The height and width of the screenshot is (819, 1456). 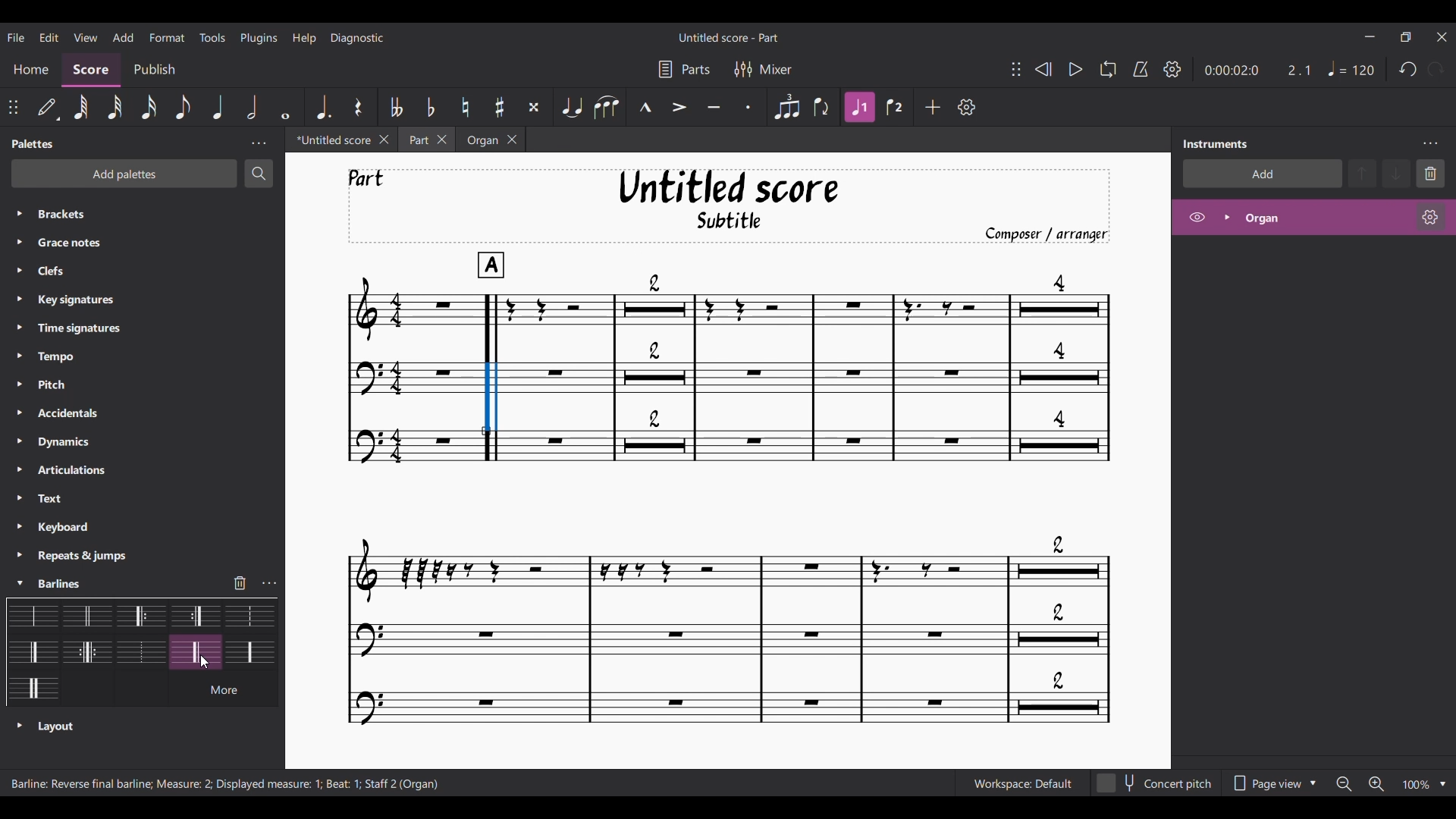 I want to click on Zoom in, so click(x=1376, y=784).